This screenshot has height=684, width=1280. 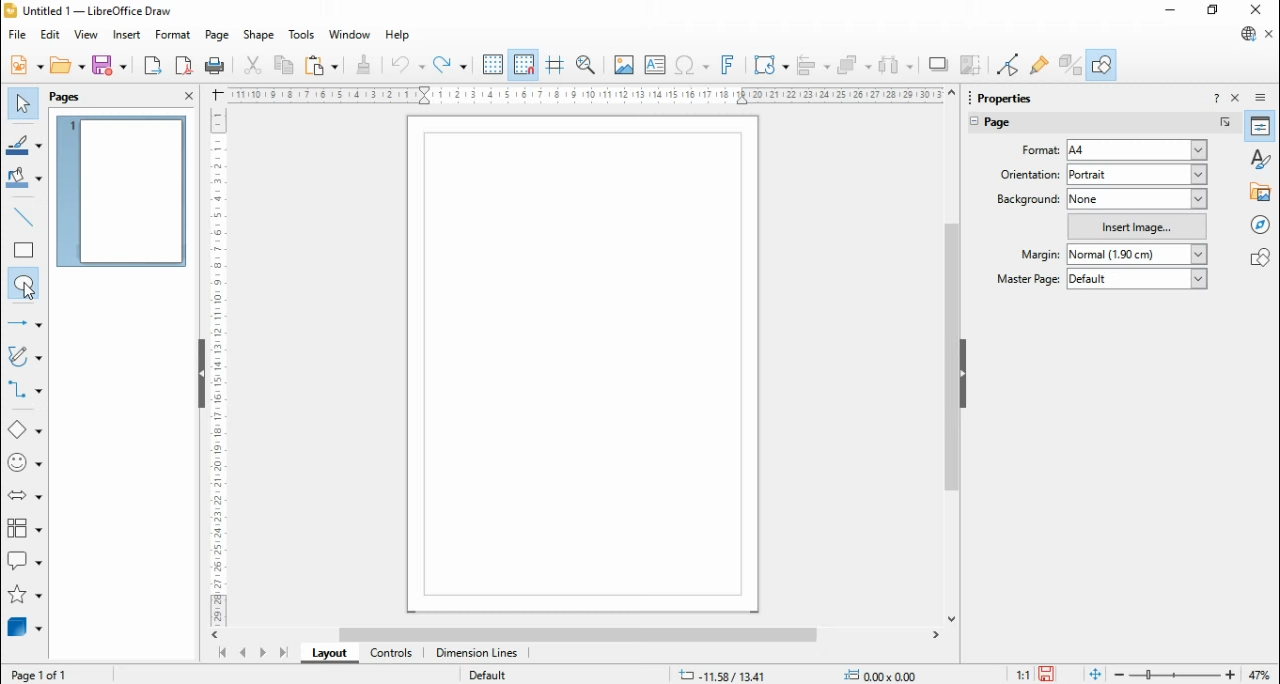 I want to click on close panel, so click(x=189, y=95).